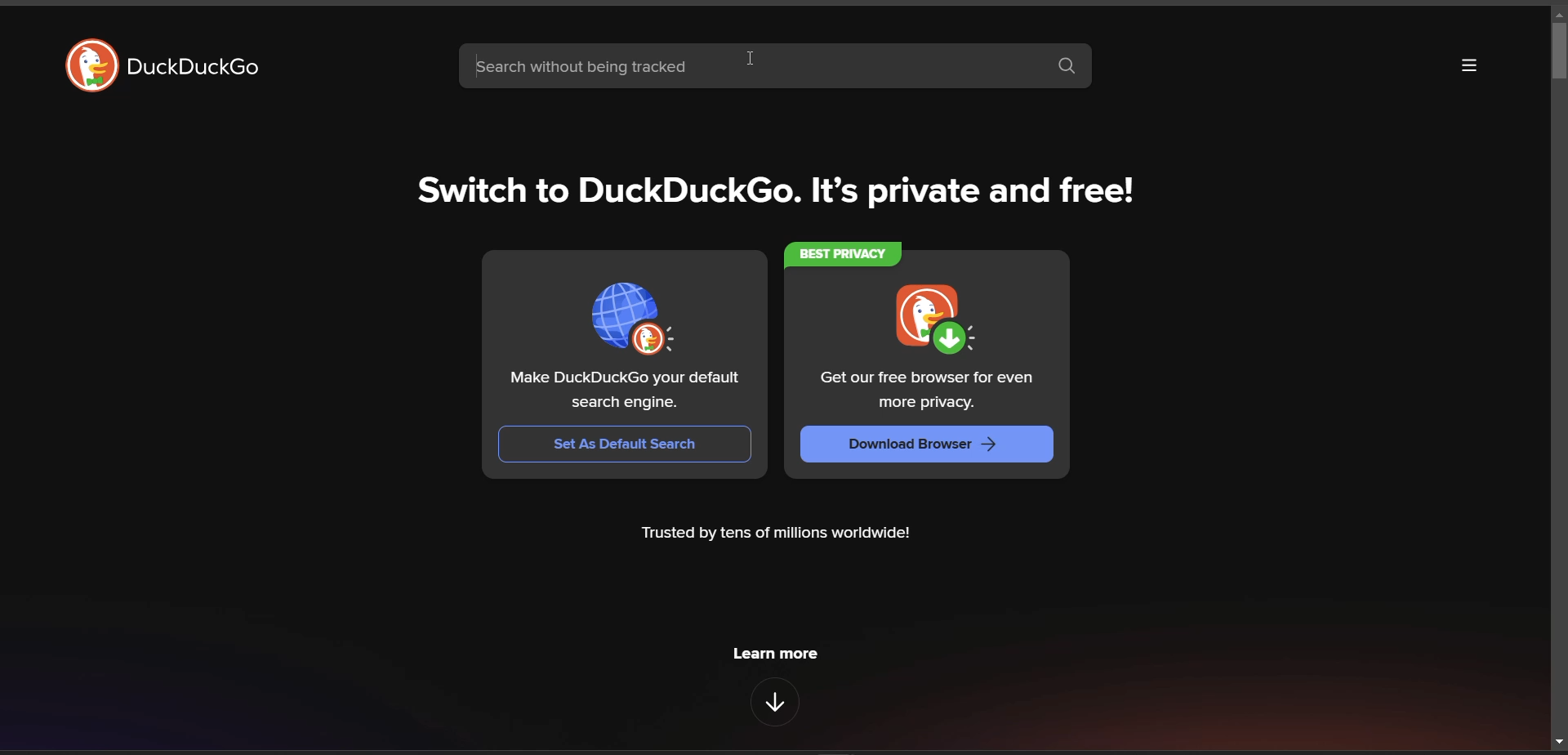 The height and width of the screenshot is (755, 1568). Describe the element at coordinates (923, 315) in the screenshot. I see `duckduckgo download logo` at that location.